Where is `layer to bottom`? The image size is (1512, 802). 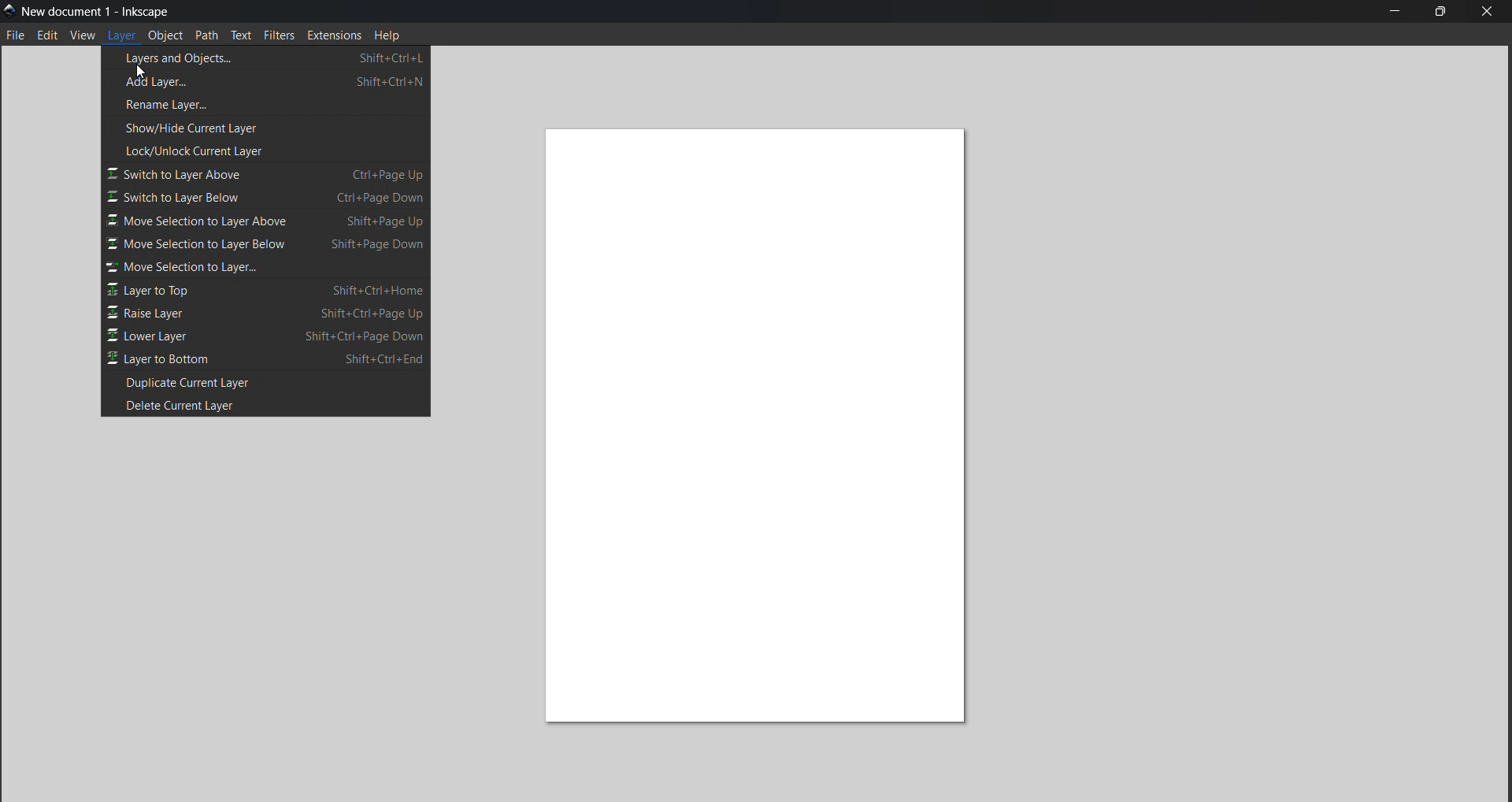 layer to bottom is located at coordinates (269, 356).